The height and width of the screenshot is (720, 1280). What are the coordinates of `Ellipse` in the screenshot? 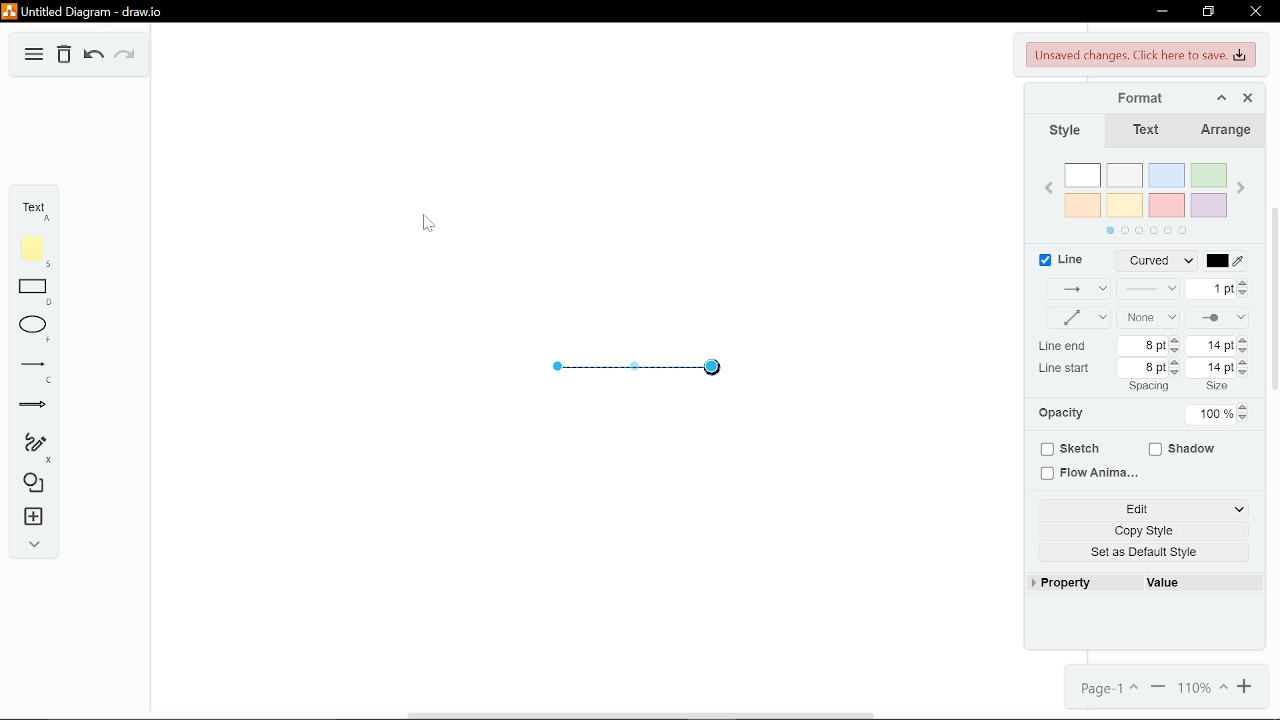 It's located at (35, 331).